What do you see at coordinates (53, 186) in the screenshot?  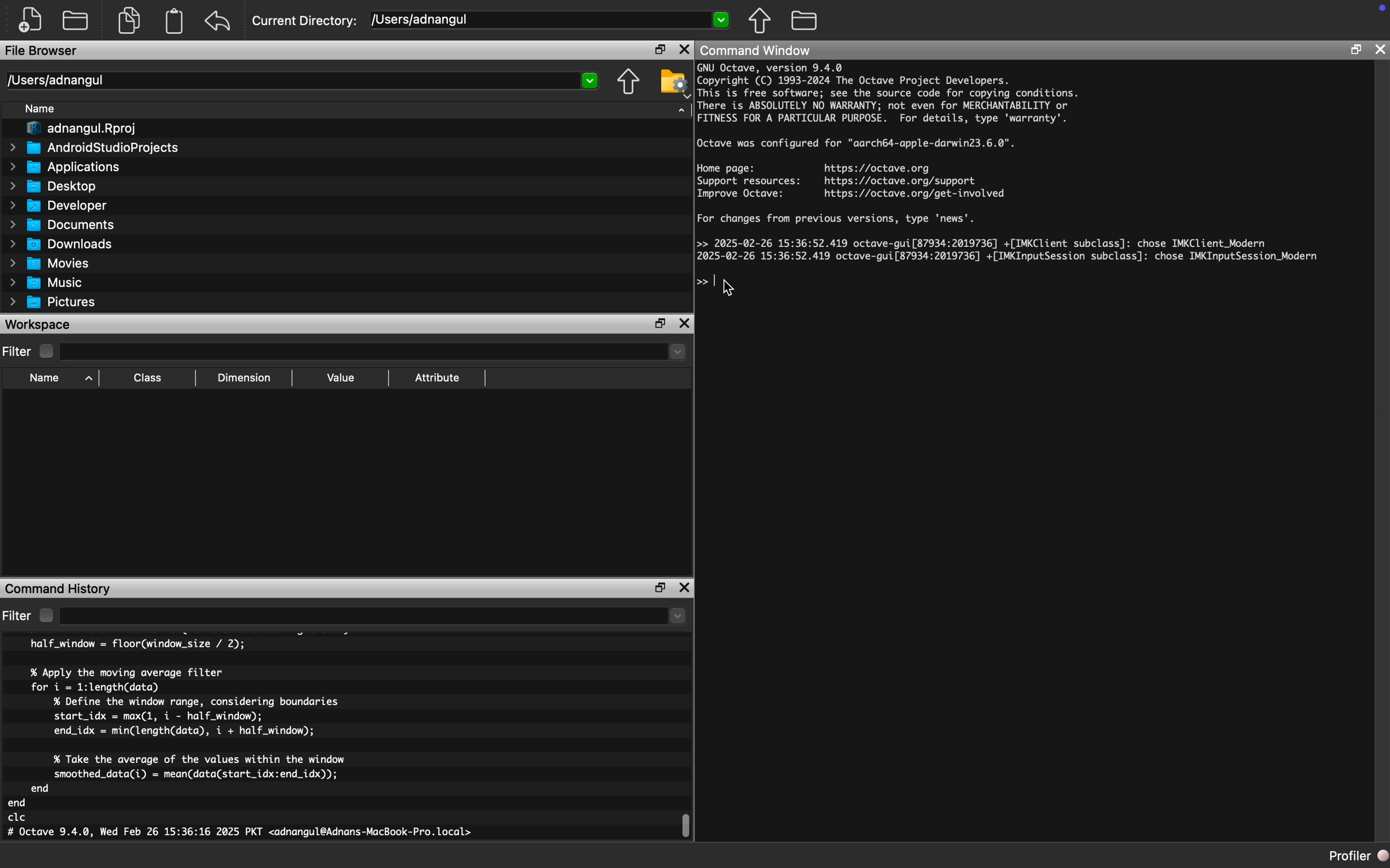 I see `Desktop` at bounding box center [53, 186].